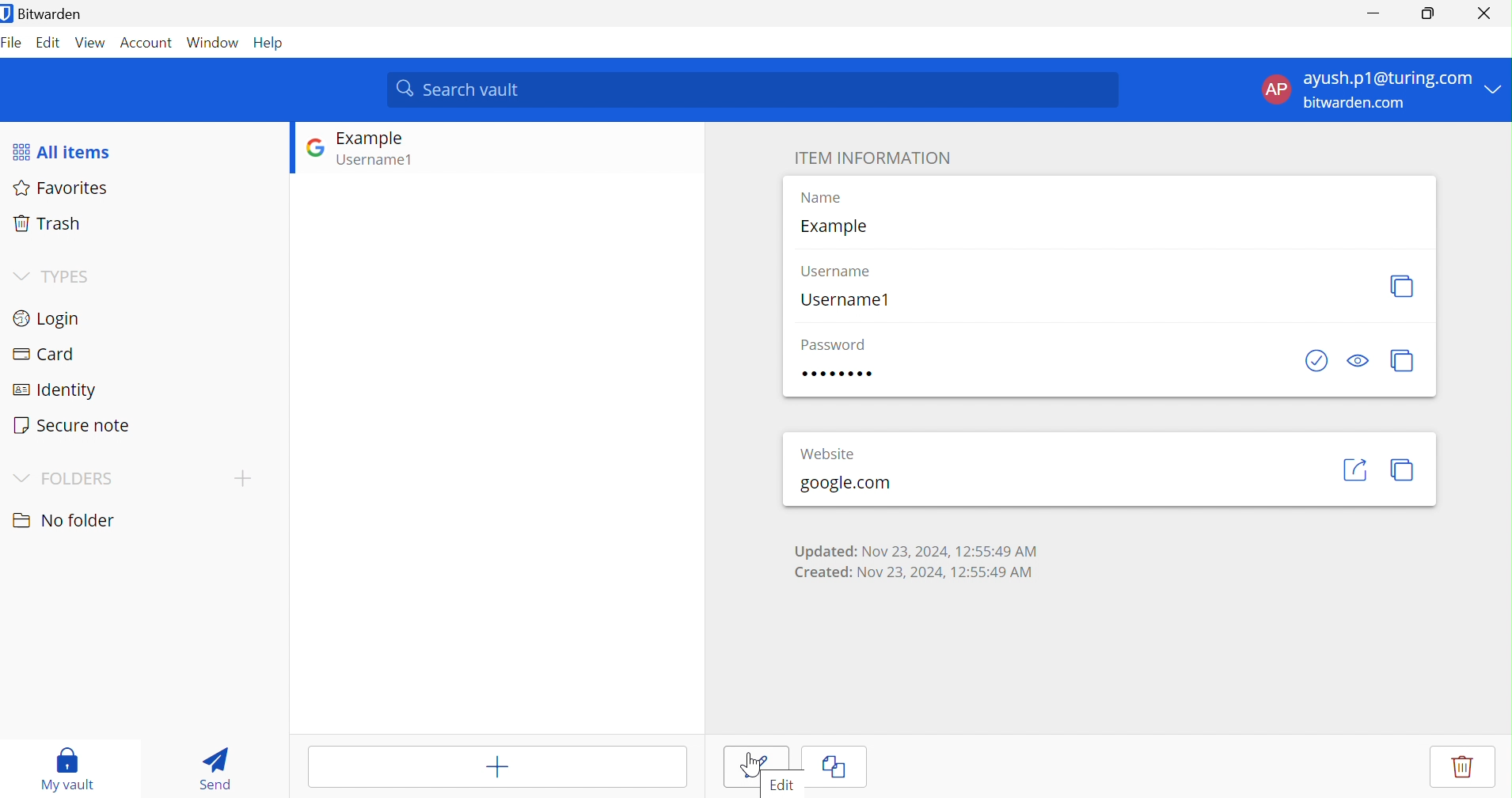 The width and height of the screenshot is (1512, 798). Describe the element at coordinates (752, 766) in the screenshot. I see `CURSOR` at that location.